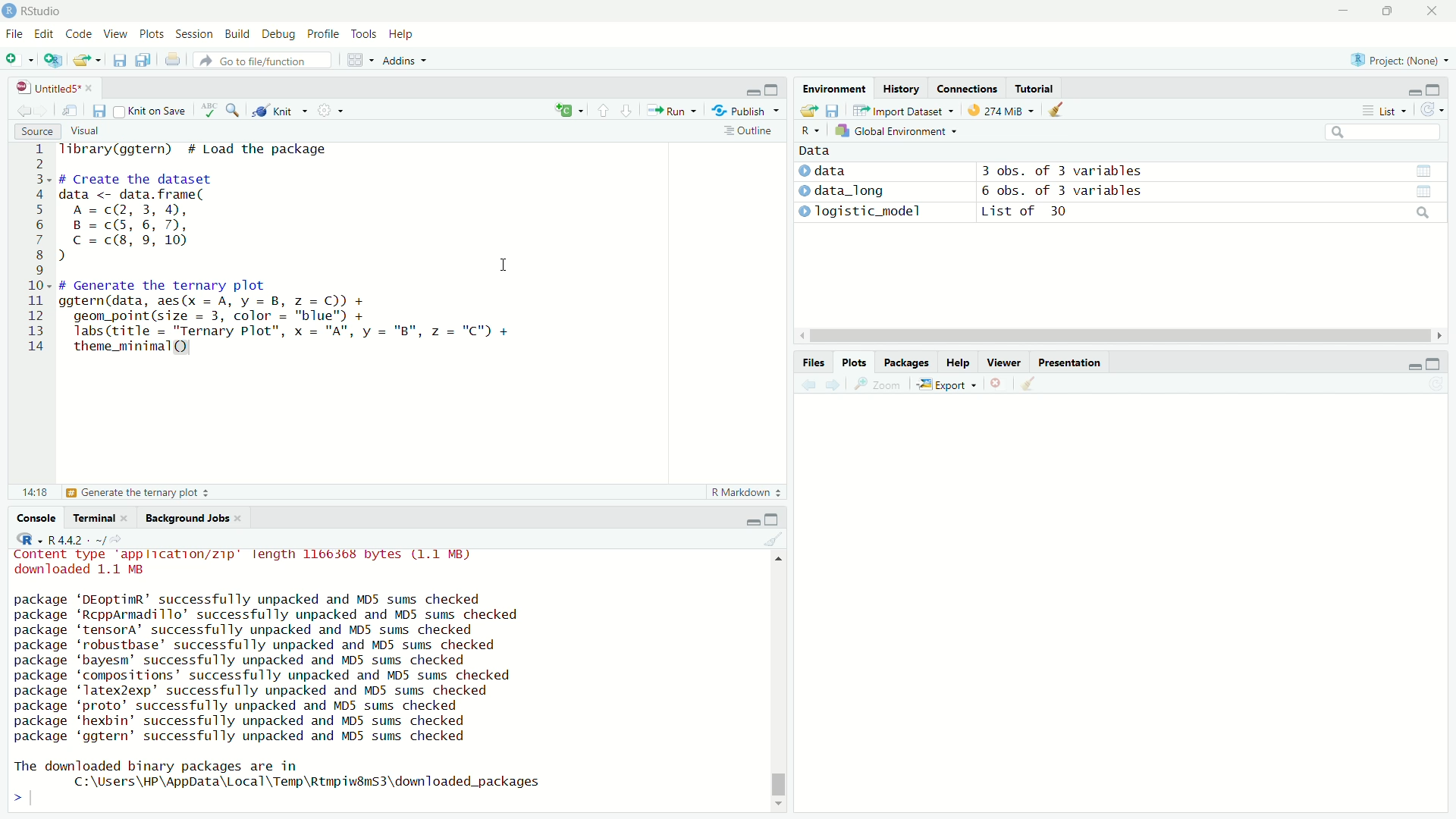 The width and height of the screenshot is (1456, 819). Describe the element at coordinates (45, 33) in the screenshot. I see `Edit` at that location.